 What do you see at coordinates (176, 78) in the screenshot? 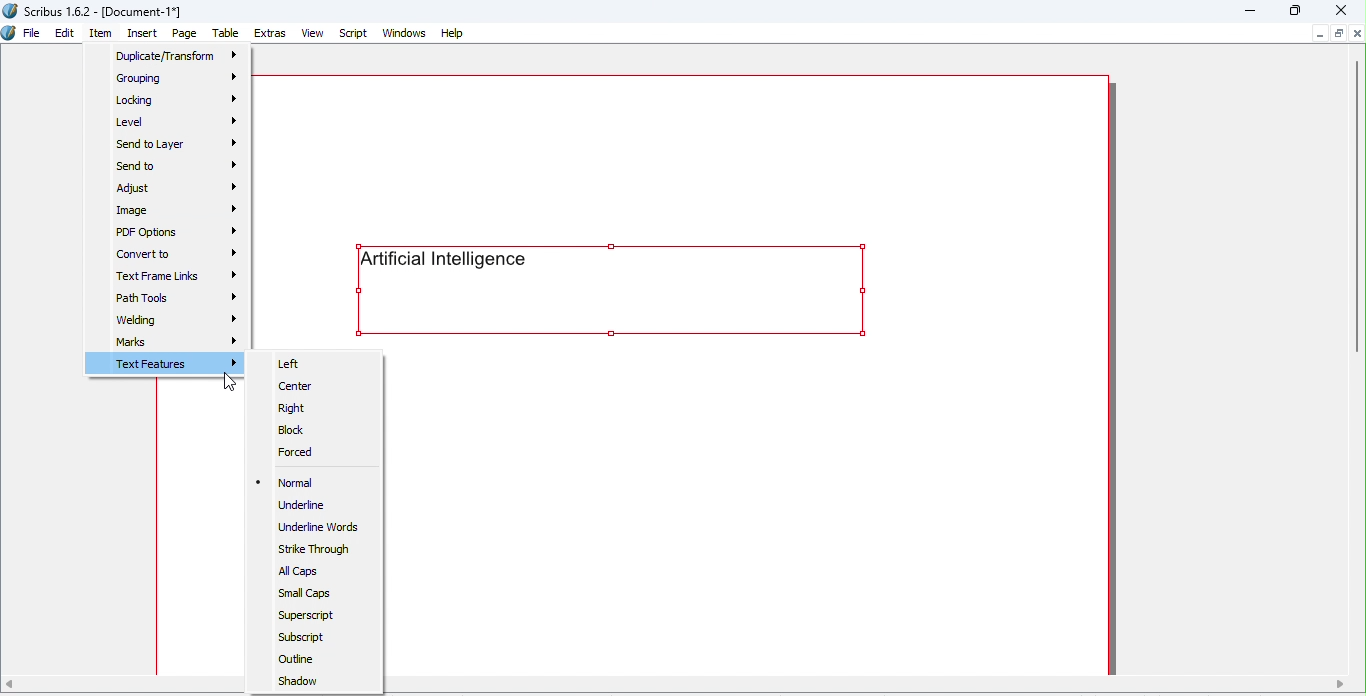
I see `Grouping` at bounding box center [176, 78].